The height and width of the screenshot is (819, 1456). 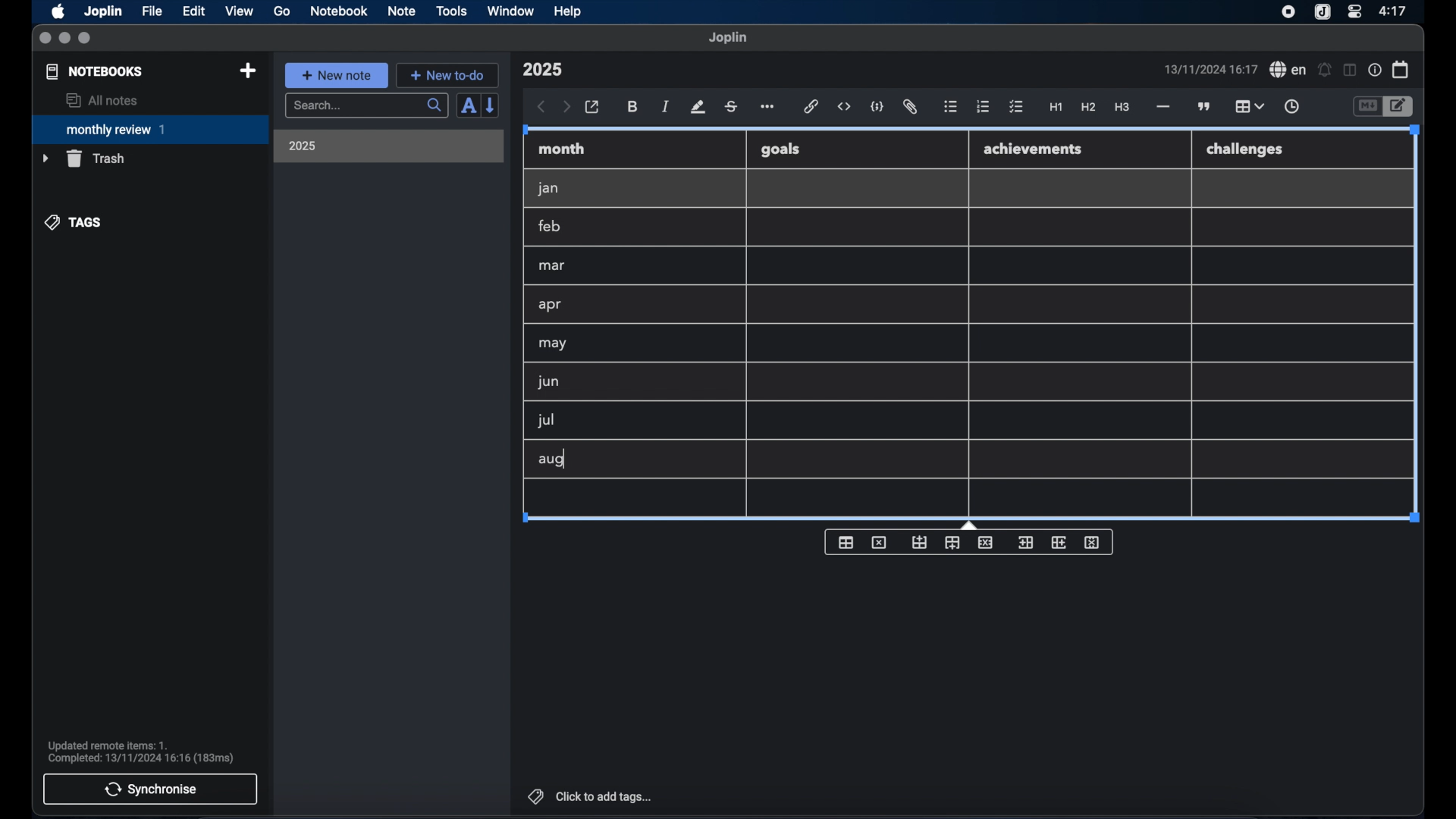 What do you see at coordinates (95, 71) in the screenshot?
I see `notebooks` at bounding box center [95, 71].